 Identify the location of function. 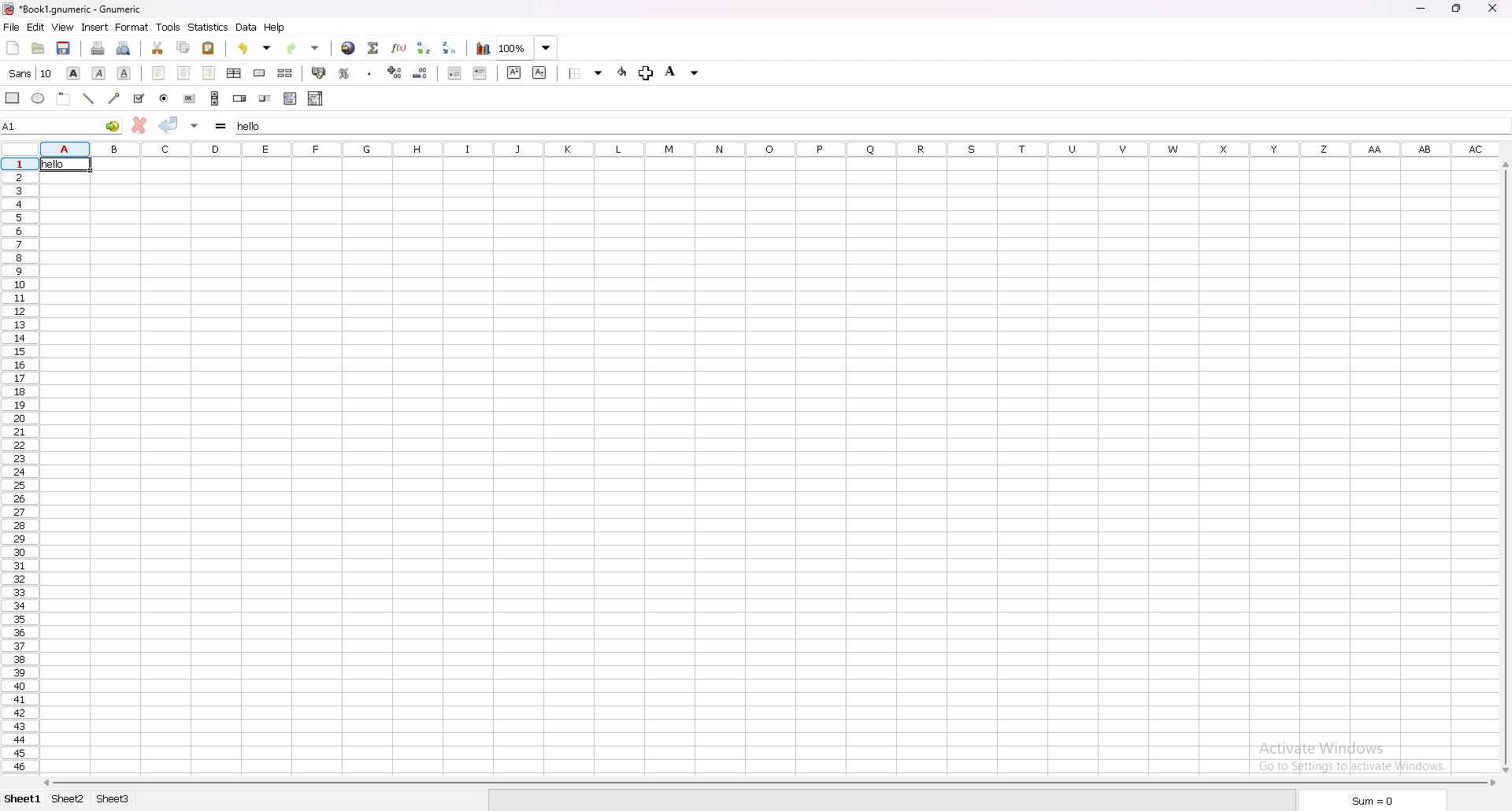
(400, 48).